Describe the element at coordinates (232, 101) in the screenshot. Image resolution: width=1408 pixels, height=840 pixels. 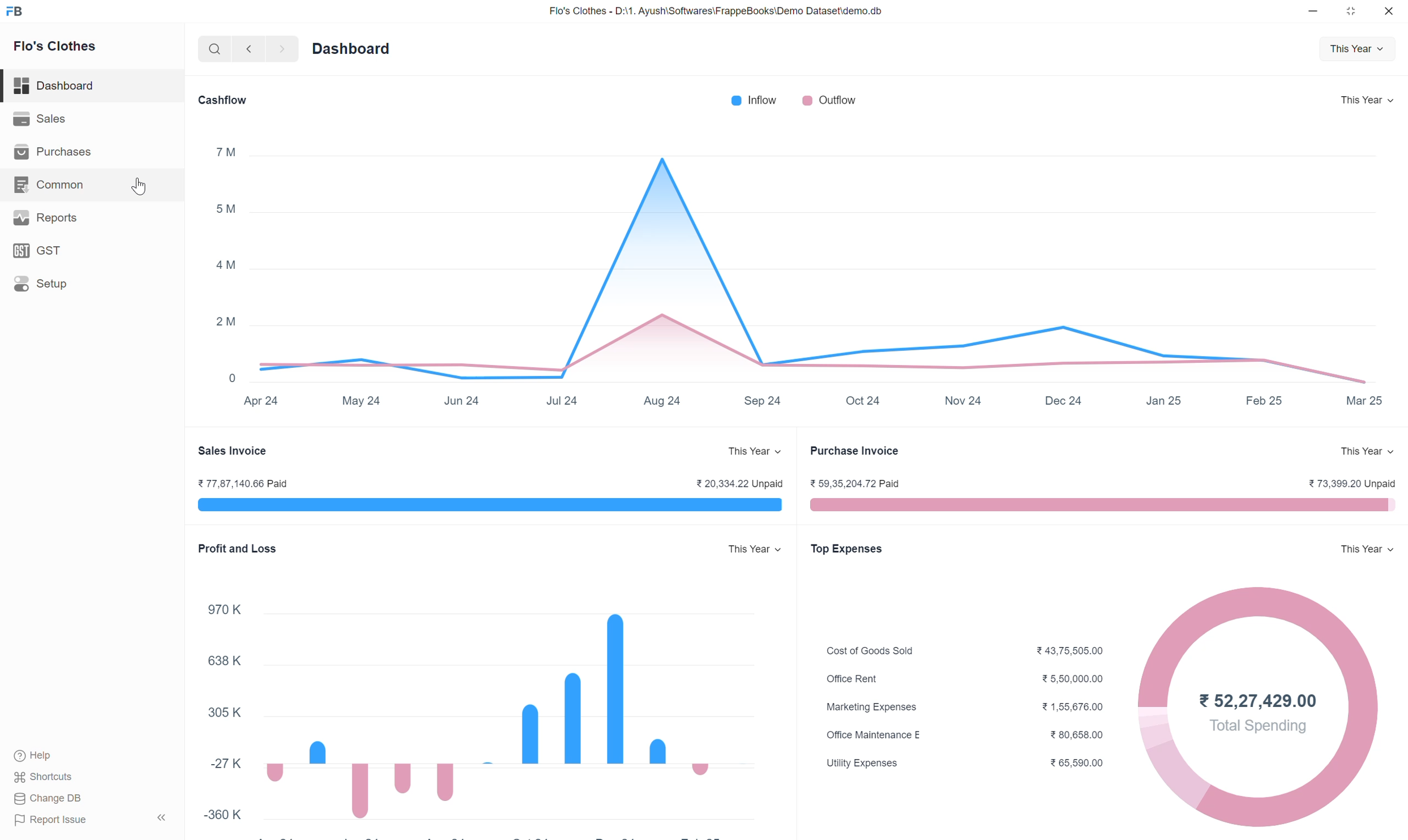
I see `Cashflow` at that location.